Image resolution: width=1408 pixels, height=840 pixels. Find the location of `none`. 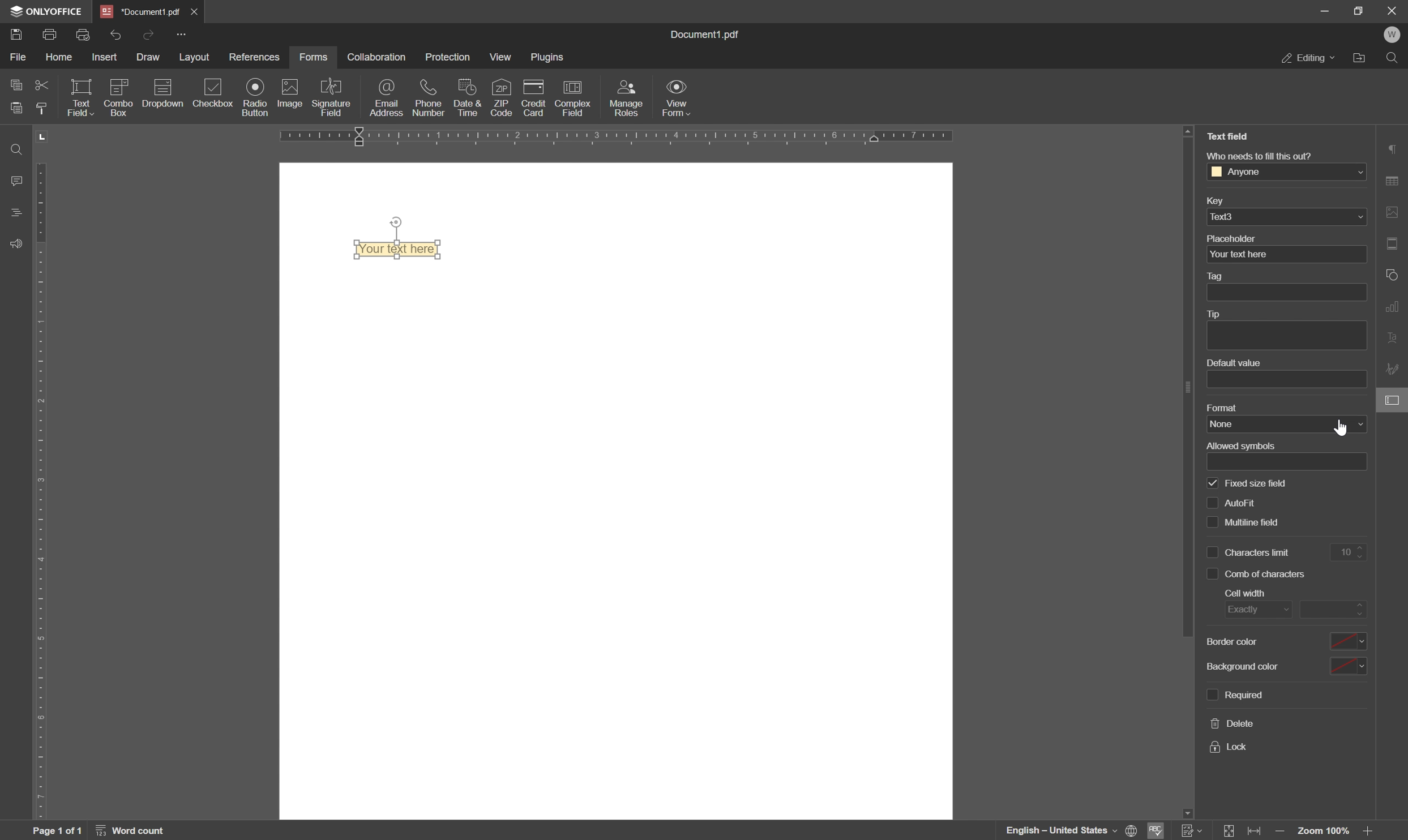

none is located at coordinates (1281, 423).